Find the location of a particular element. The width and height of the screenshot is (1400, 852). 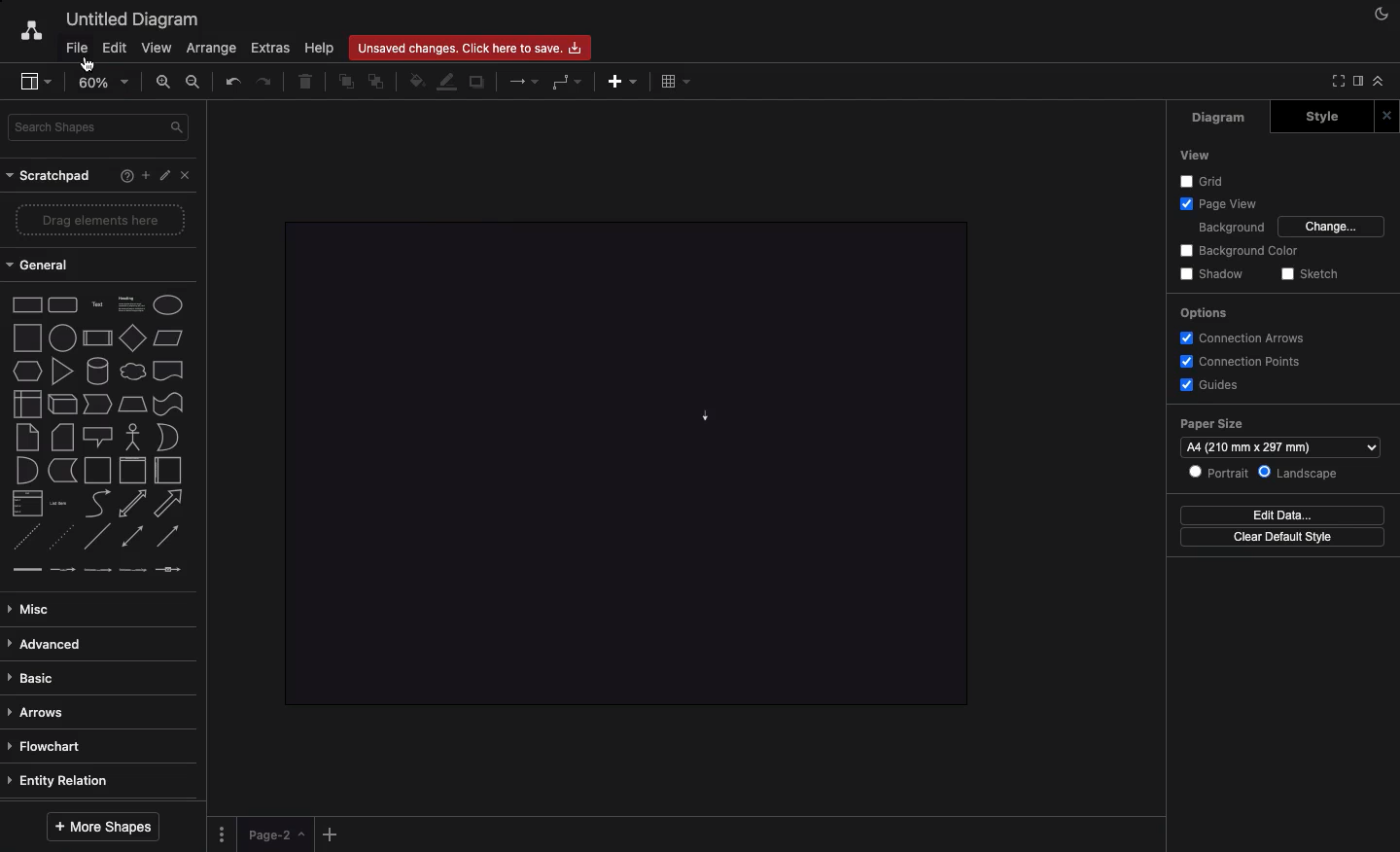

Portrait is located at coordinates (1217, 472).